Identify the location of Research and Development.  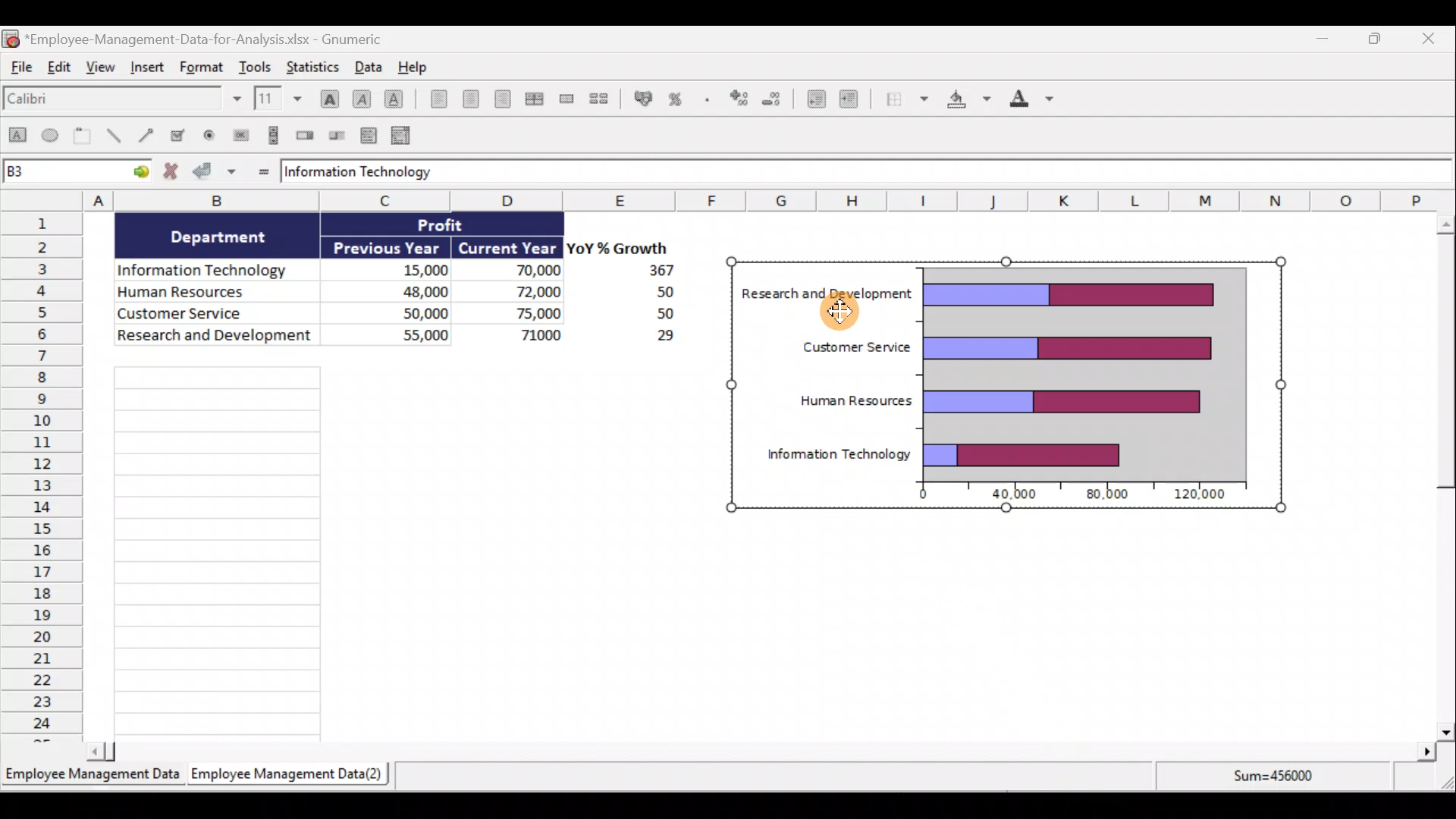
(827, 295).